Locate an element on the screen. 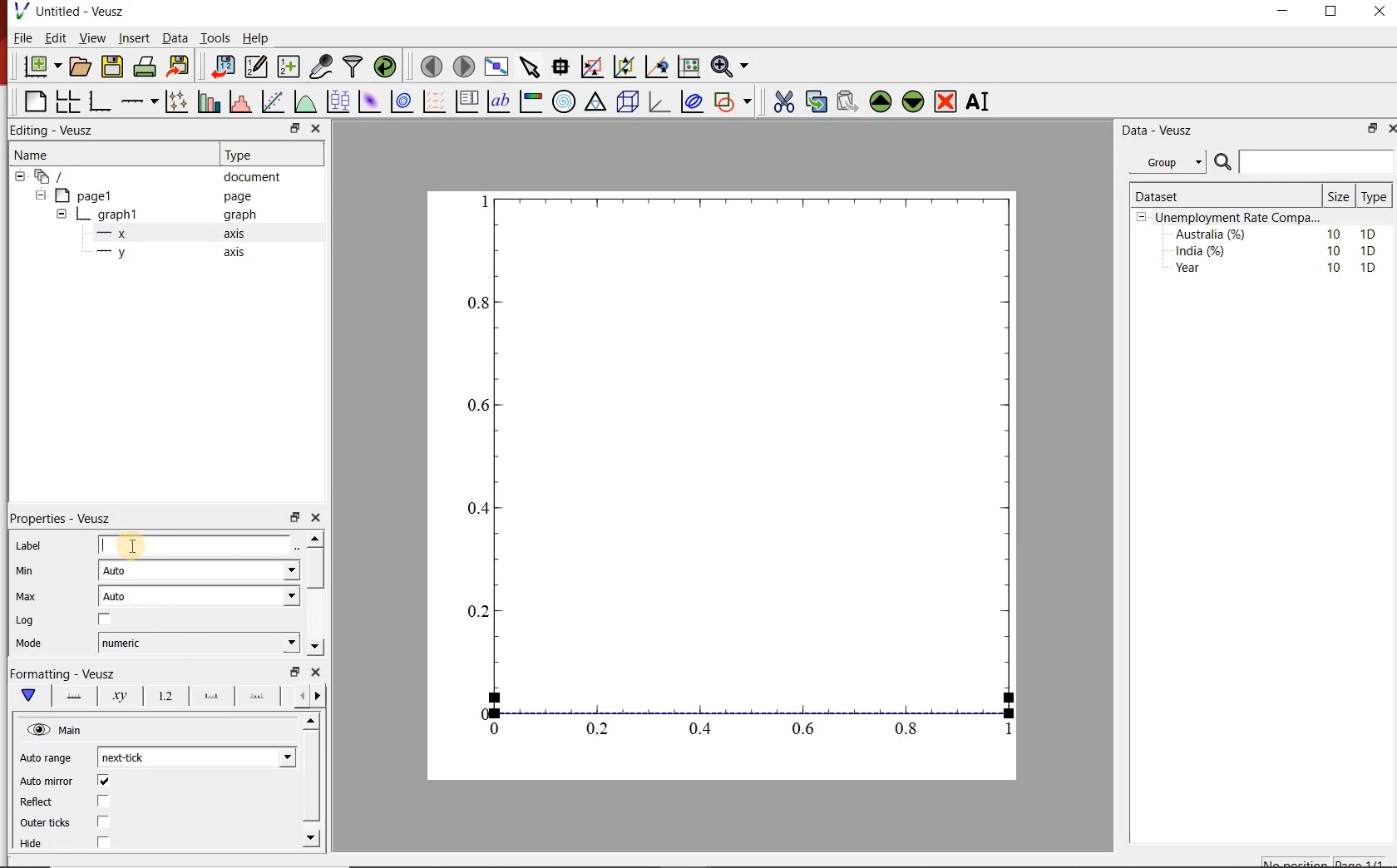 Image resolution: width=1397 pixels, height=868 pixels. Main is located at coordinates (72, 731).